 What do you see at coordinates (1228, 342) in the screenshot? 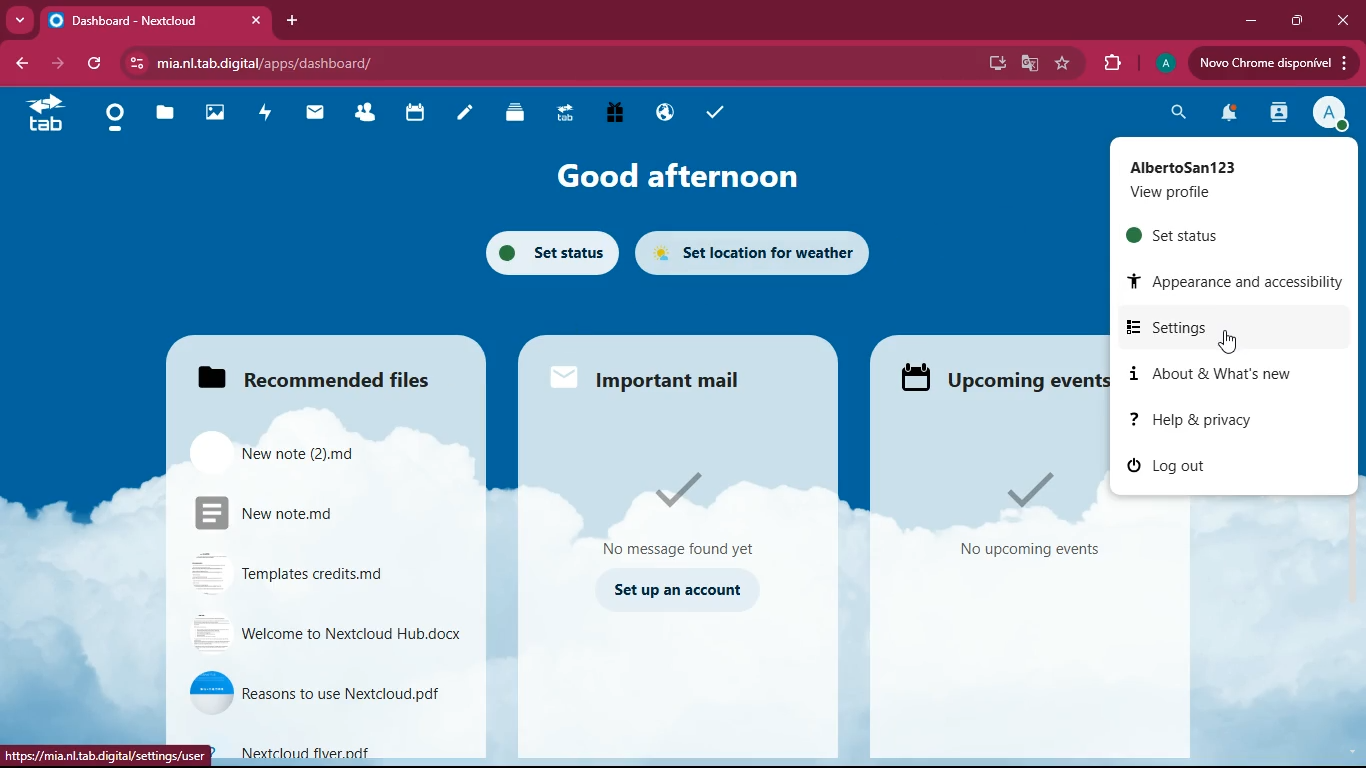
I see `cursor` at bounding box center [1228, 342].